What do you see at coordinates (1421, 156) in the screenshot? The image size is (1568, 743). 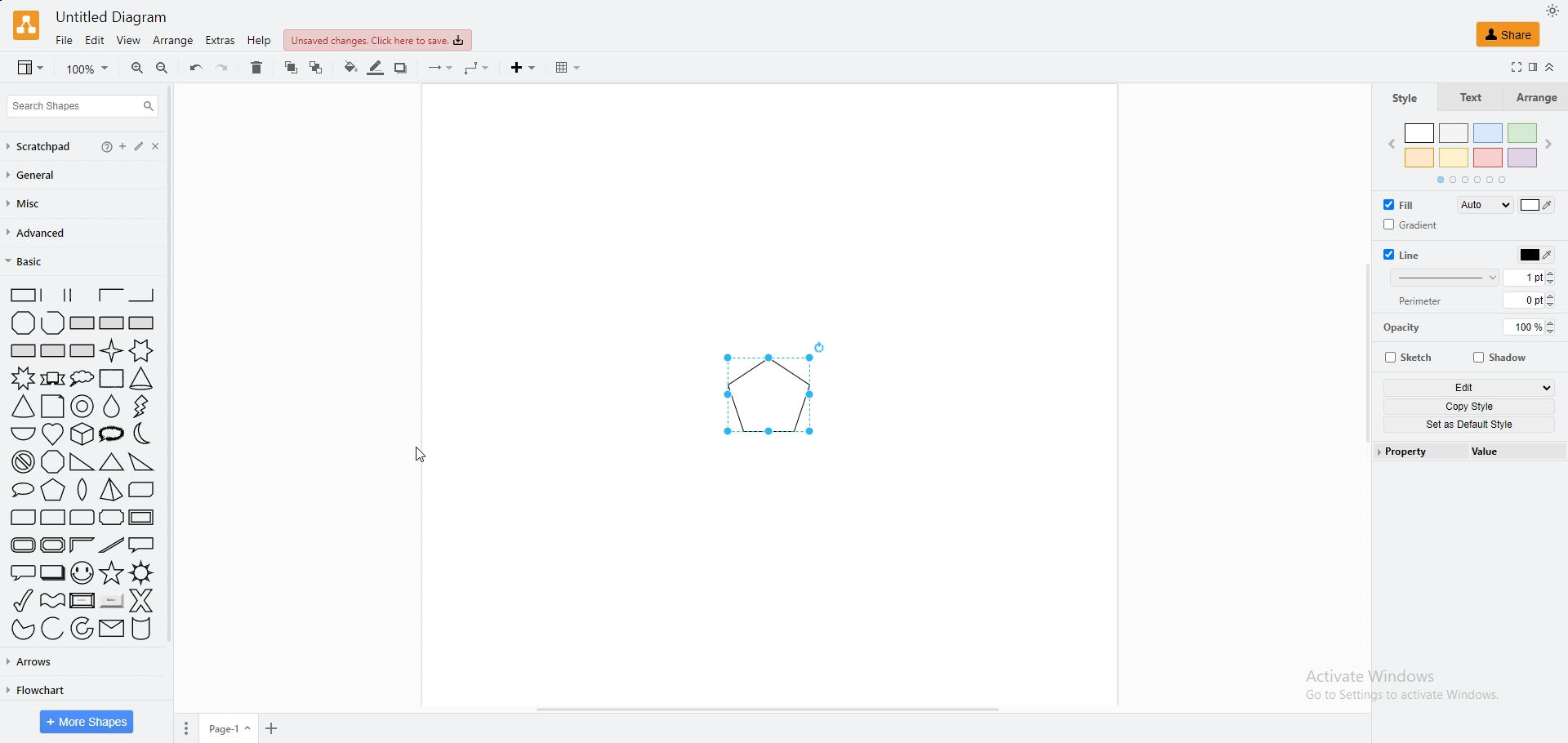 I see `orange` at bounding box center [1421, 156].